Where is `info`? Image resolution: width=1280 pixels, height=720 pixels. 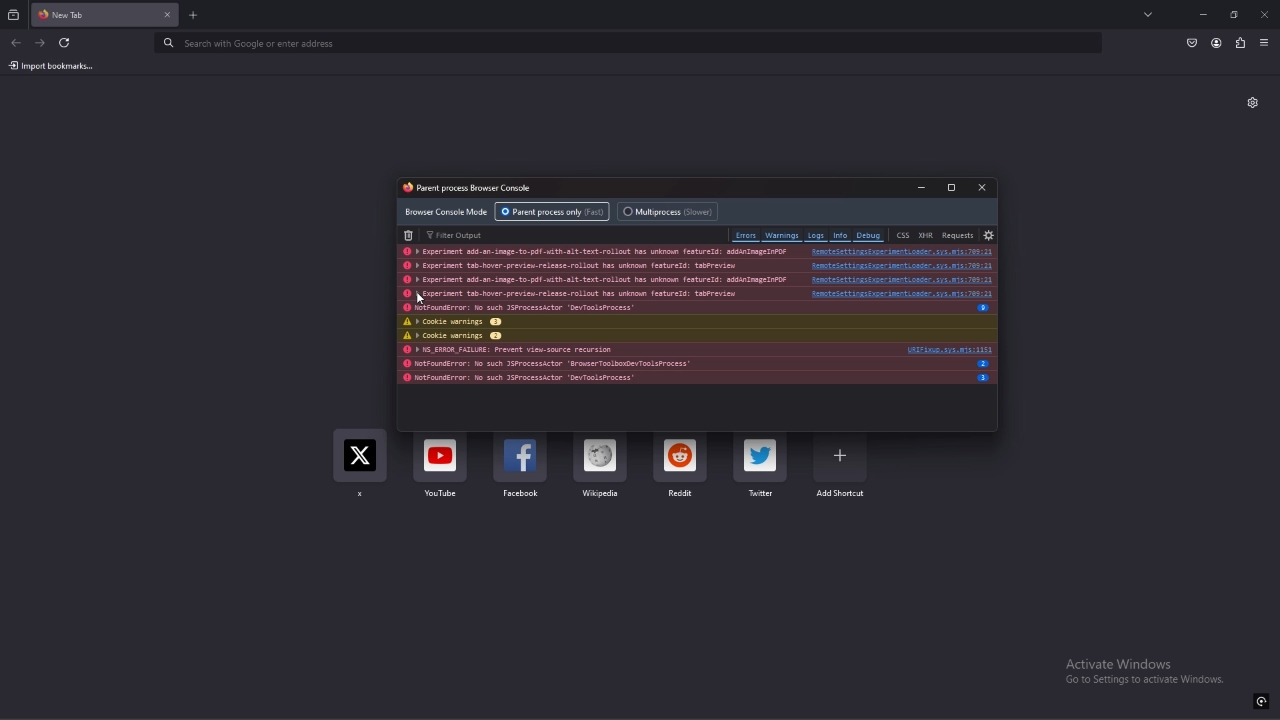 info is located at coordinates (982, 308).